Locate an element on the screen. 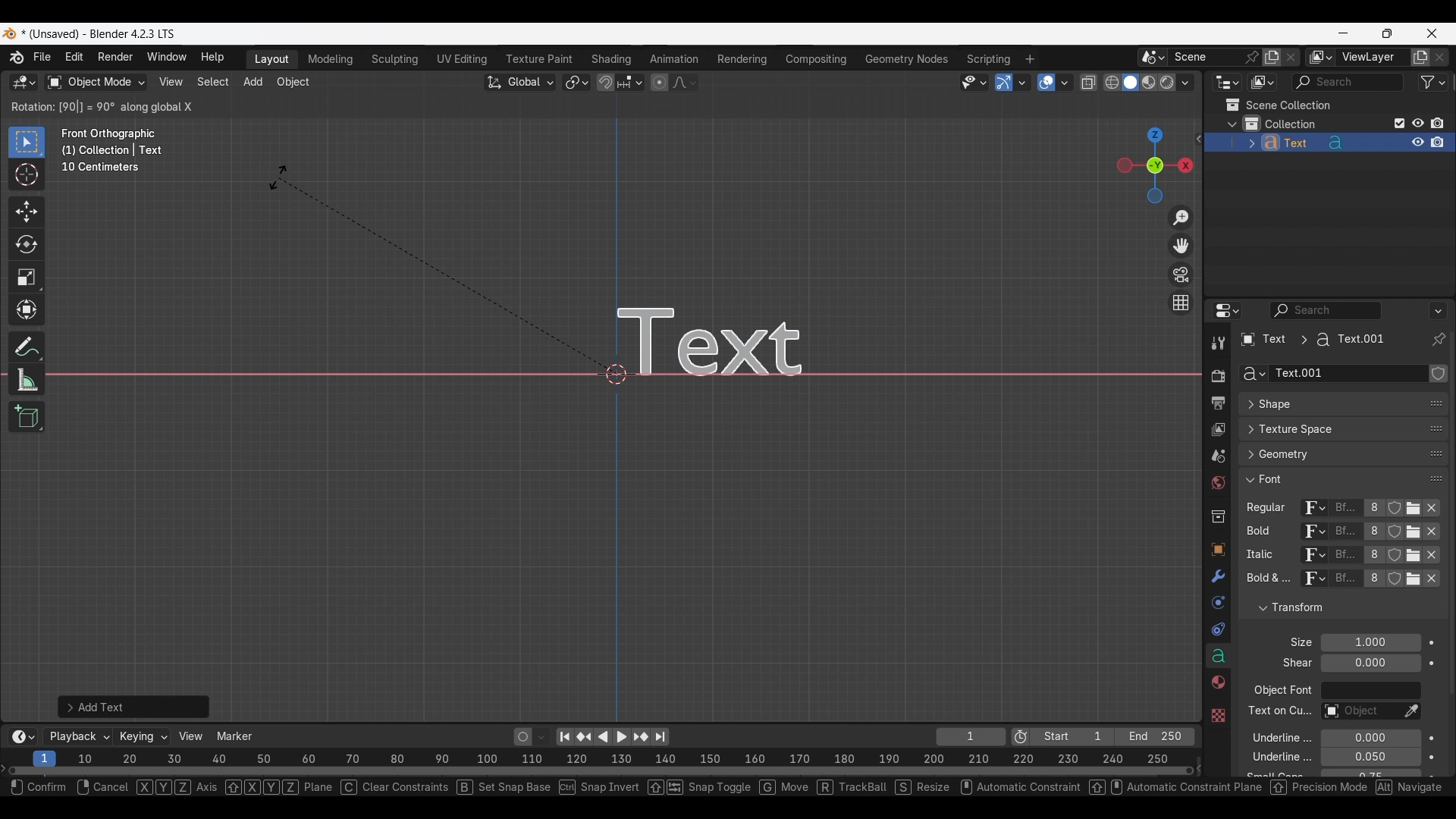  Add cube is located at coordinates (27, 417).